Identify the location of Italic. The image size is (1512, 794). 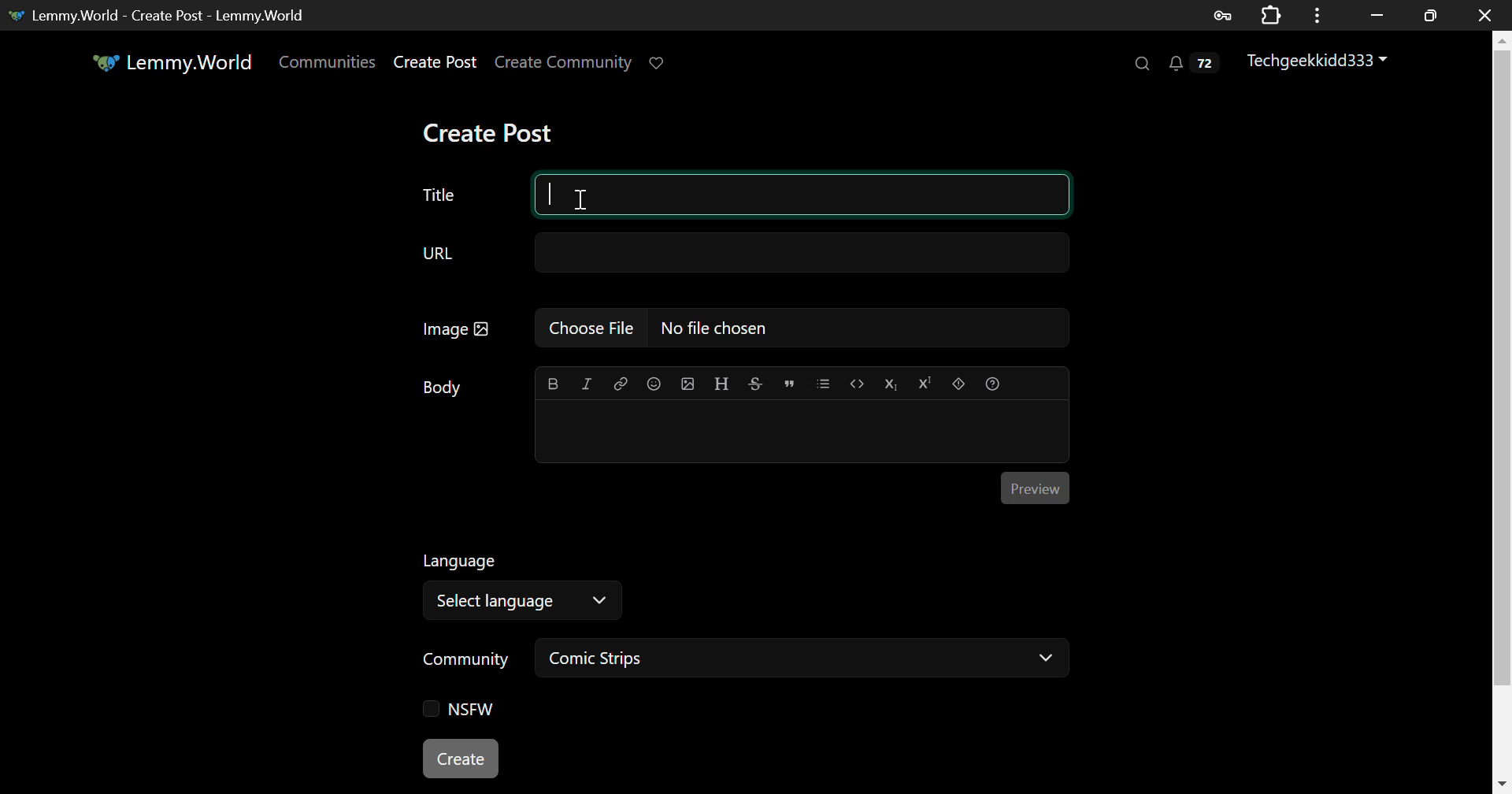
(587, 384).